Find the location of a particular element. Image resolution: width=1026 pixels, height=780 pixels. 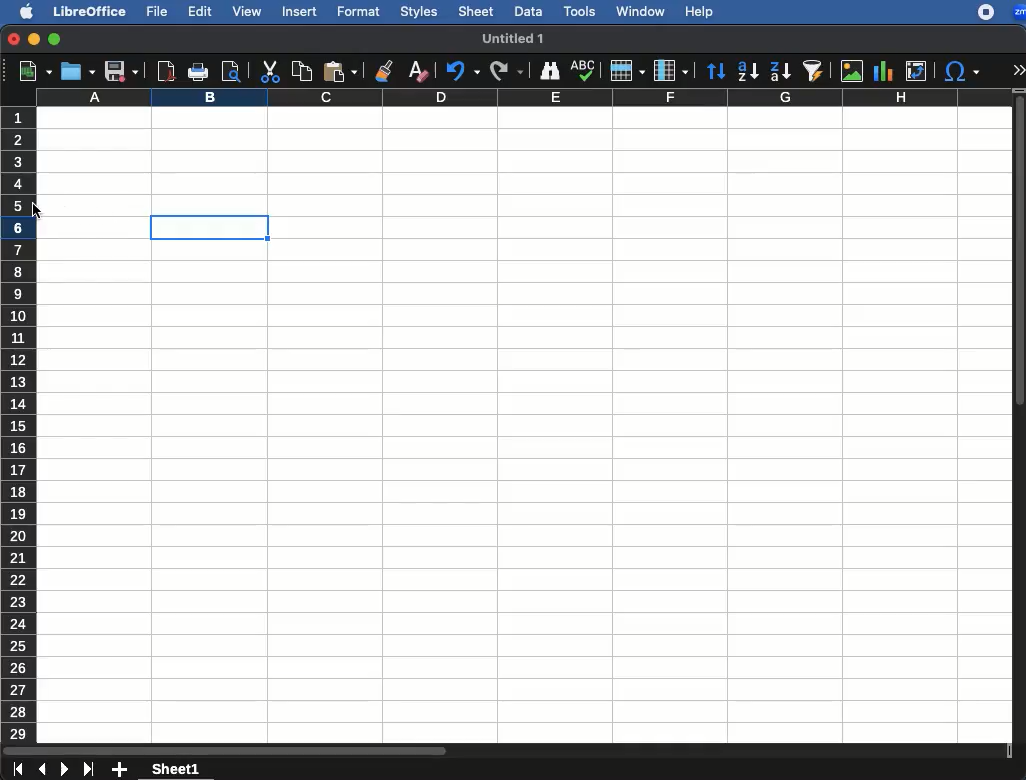

new is located at coordinates (31, 71).